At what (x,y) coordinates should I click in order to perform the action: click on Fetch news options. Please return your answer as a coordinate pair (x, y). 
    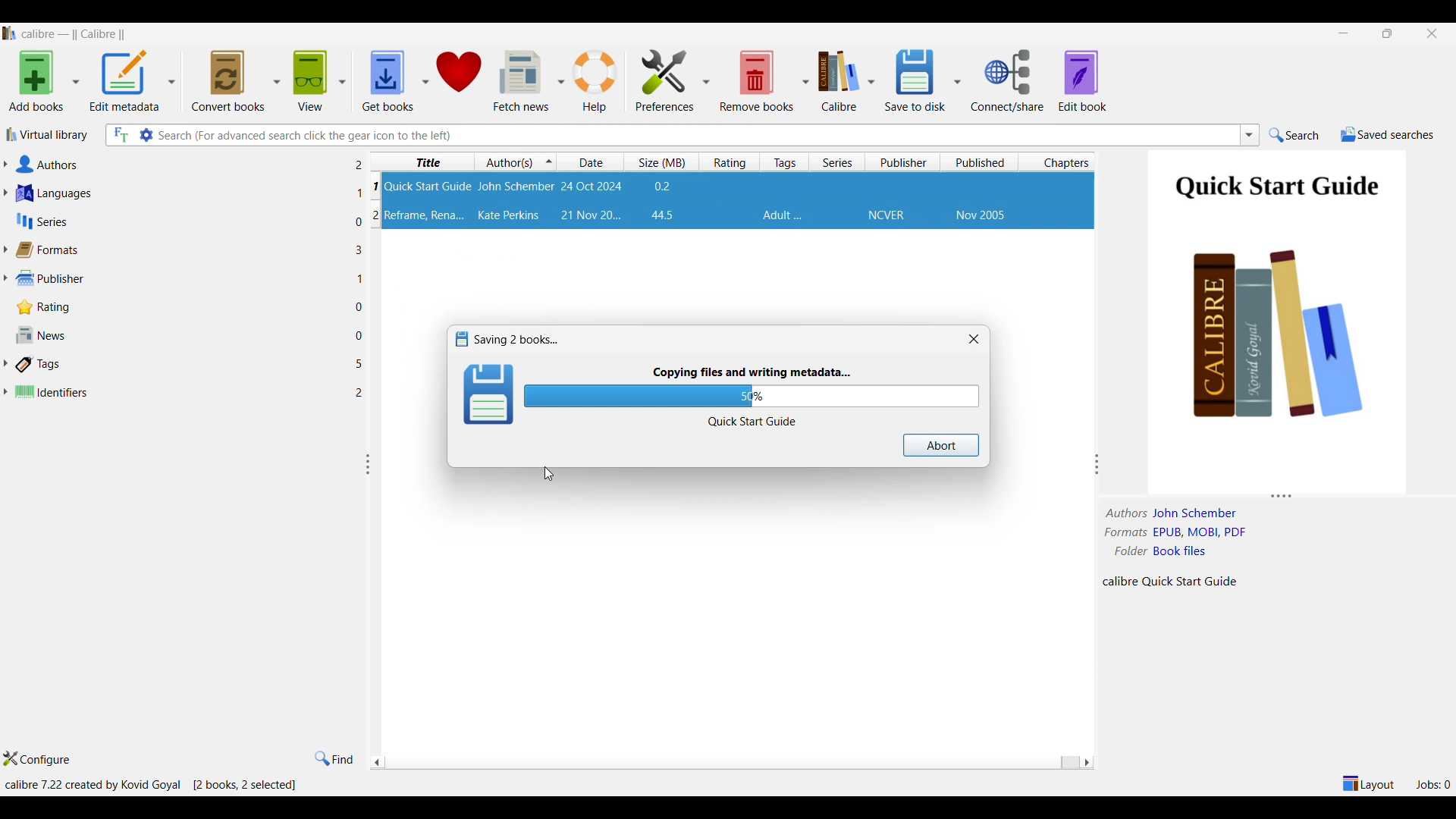
    Looking at the image, I should click on (528, 80).